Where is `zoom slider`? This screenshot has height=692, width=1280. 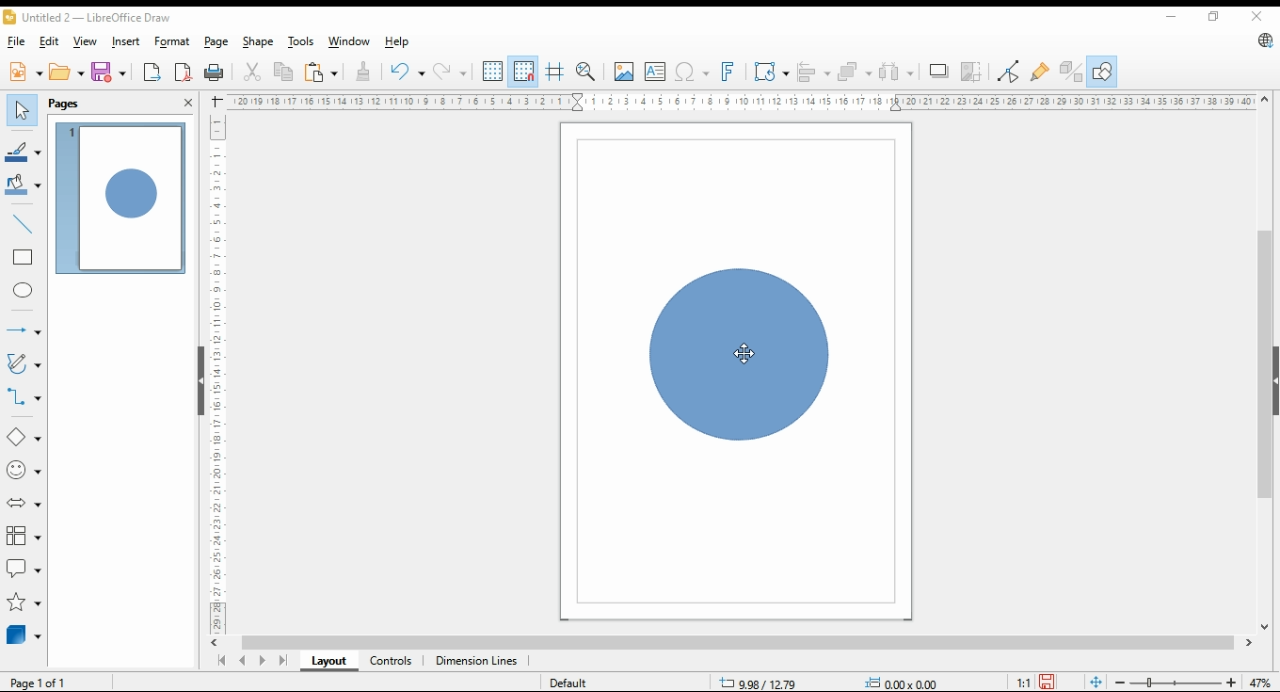 zoom slider is located at coordinates (1176, 681).